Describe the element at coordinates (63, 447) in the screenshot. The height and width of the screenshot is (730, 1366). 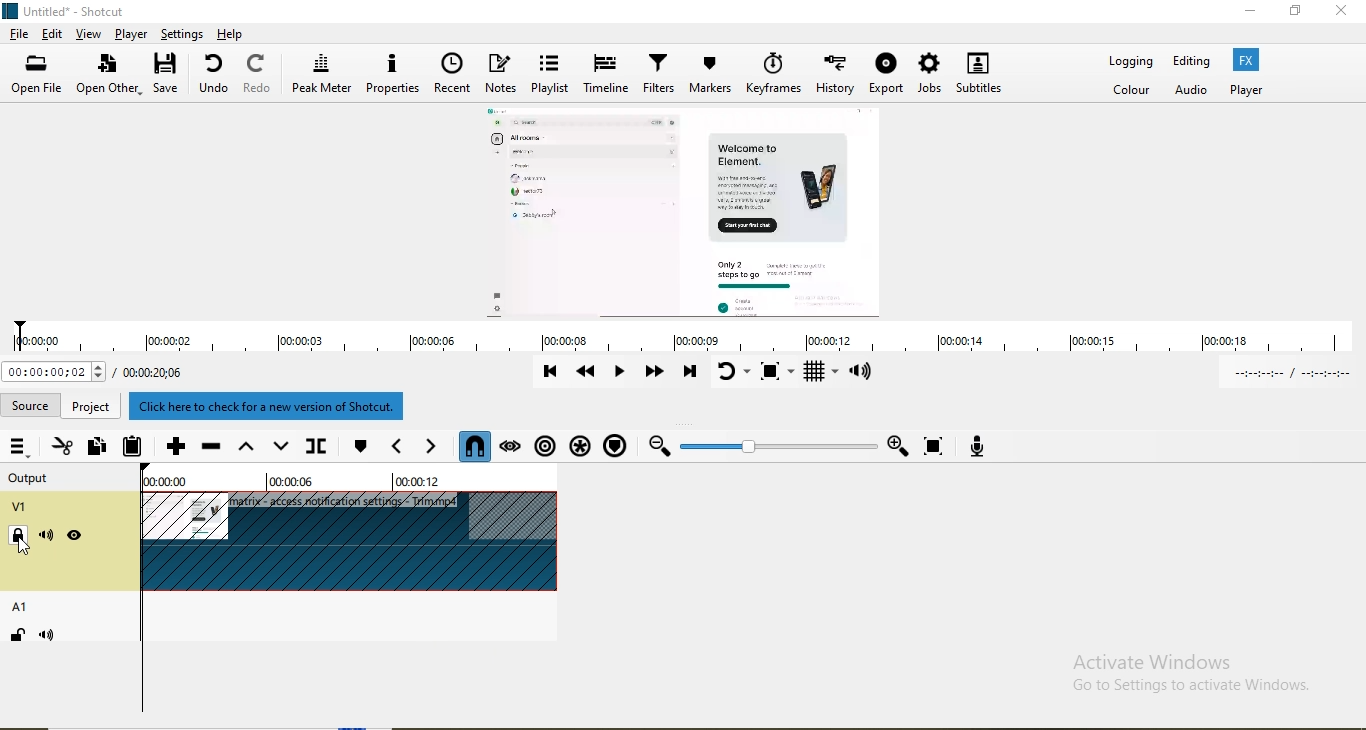
I see `Cut` at that location.